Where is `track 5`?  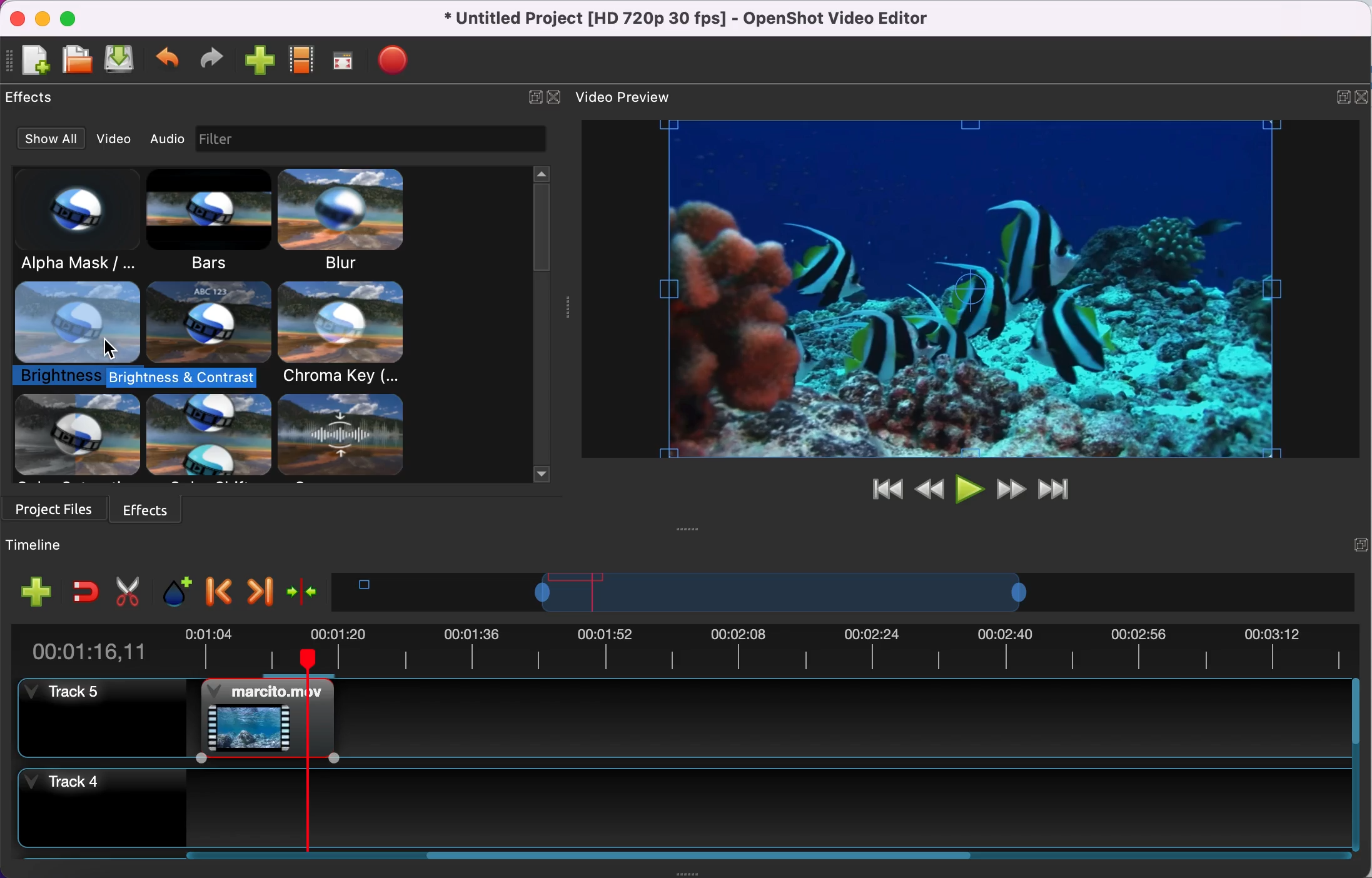 track 5 is located at coordinates (843, 717).